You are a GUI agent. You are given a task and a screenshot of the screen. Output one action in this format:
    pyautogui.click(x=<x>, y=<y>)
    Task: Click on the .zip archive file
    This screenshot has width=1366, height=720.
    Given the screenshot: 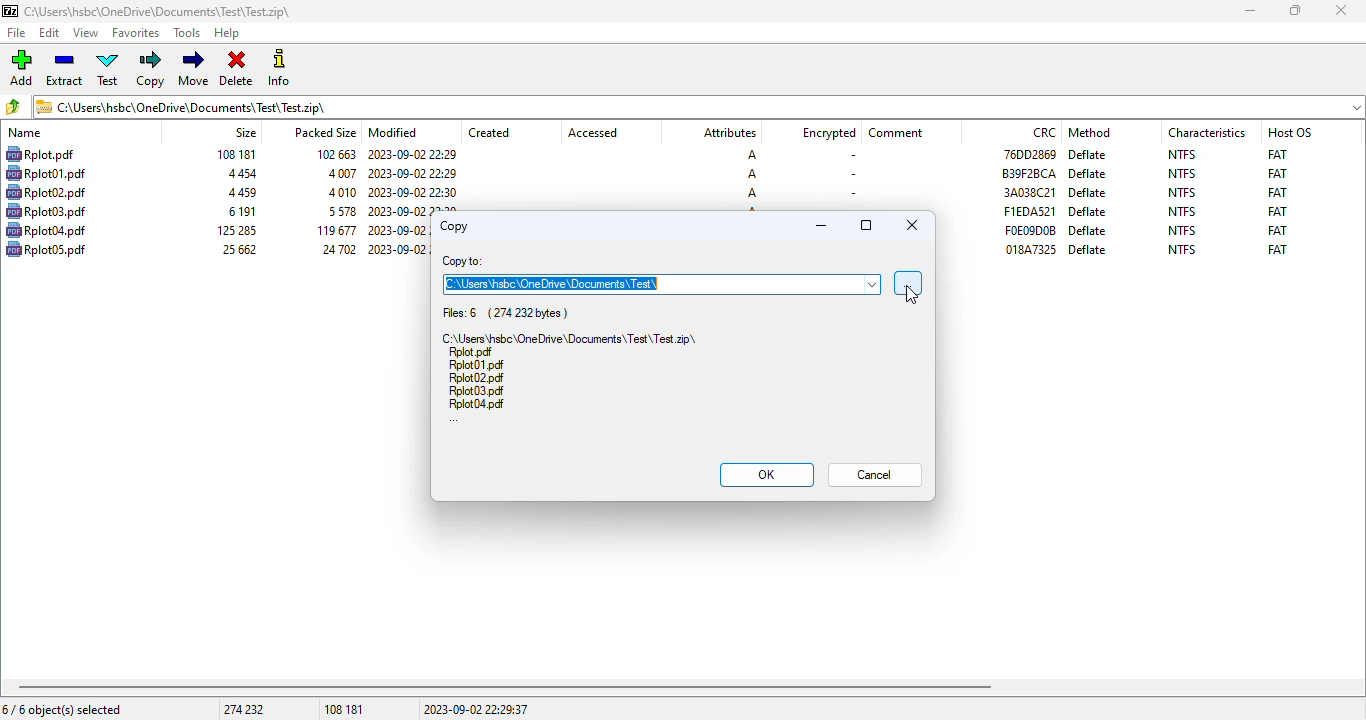 What is the action you would take?
    pyautogui.click(x=569, y=337)
    